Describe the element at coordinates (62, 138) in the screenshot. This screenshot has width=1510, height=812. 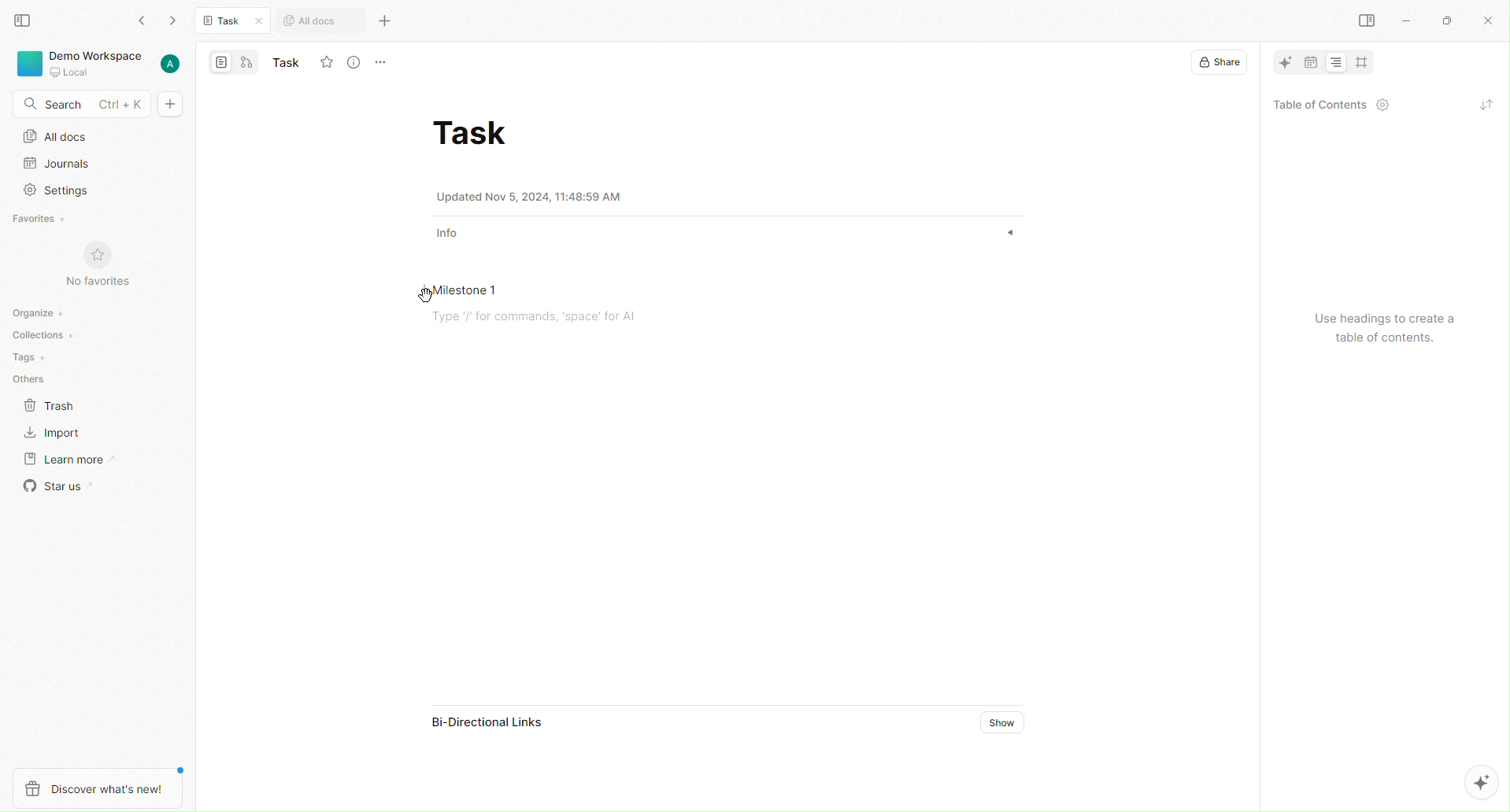
I see `All Docs` at that location.